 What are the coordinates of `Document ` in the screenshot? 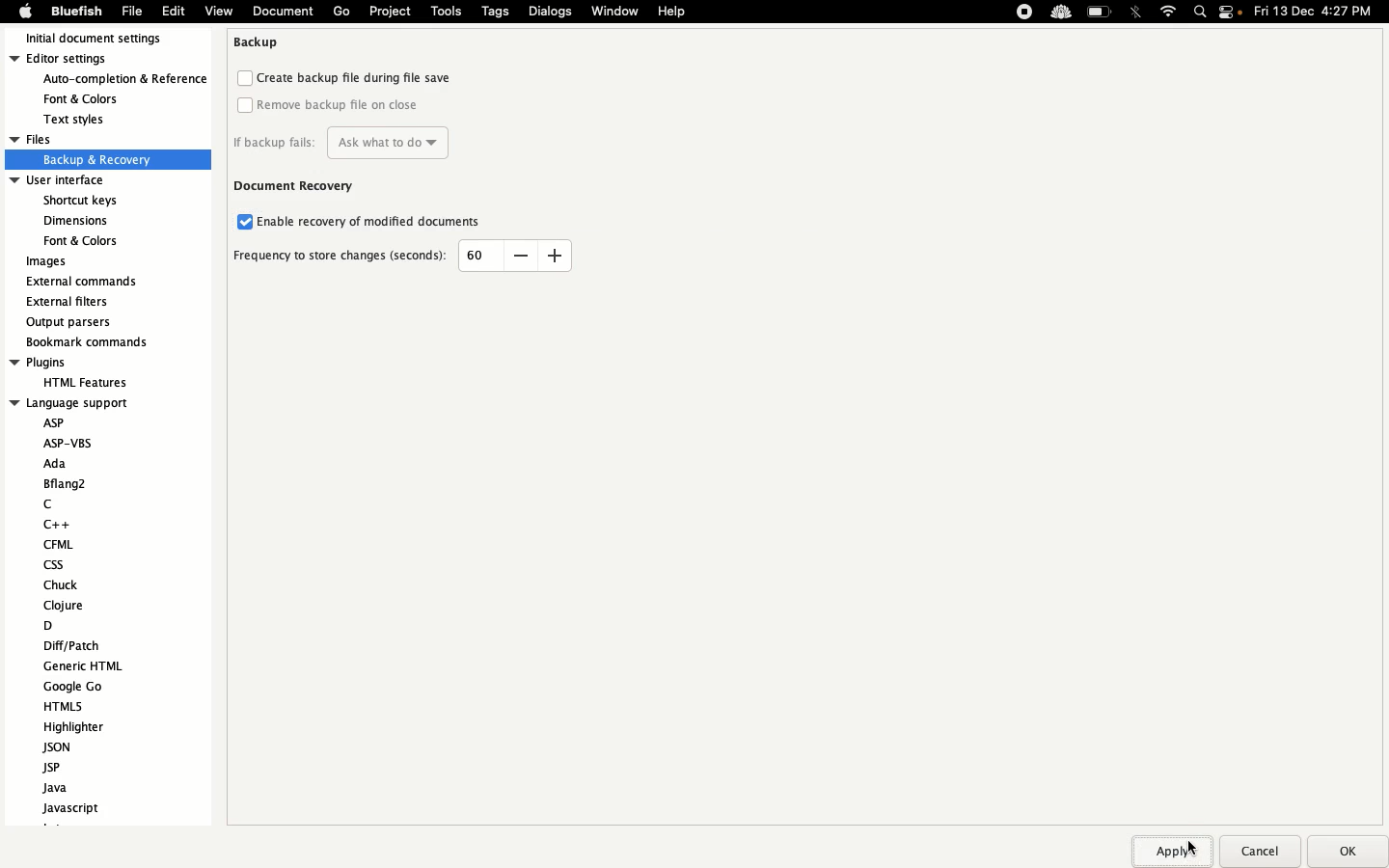 It's located at (282, 13).